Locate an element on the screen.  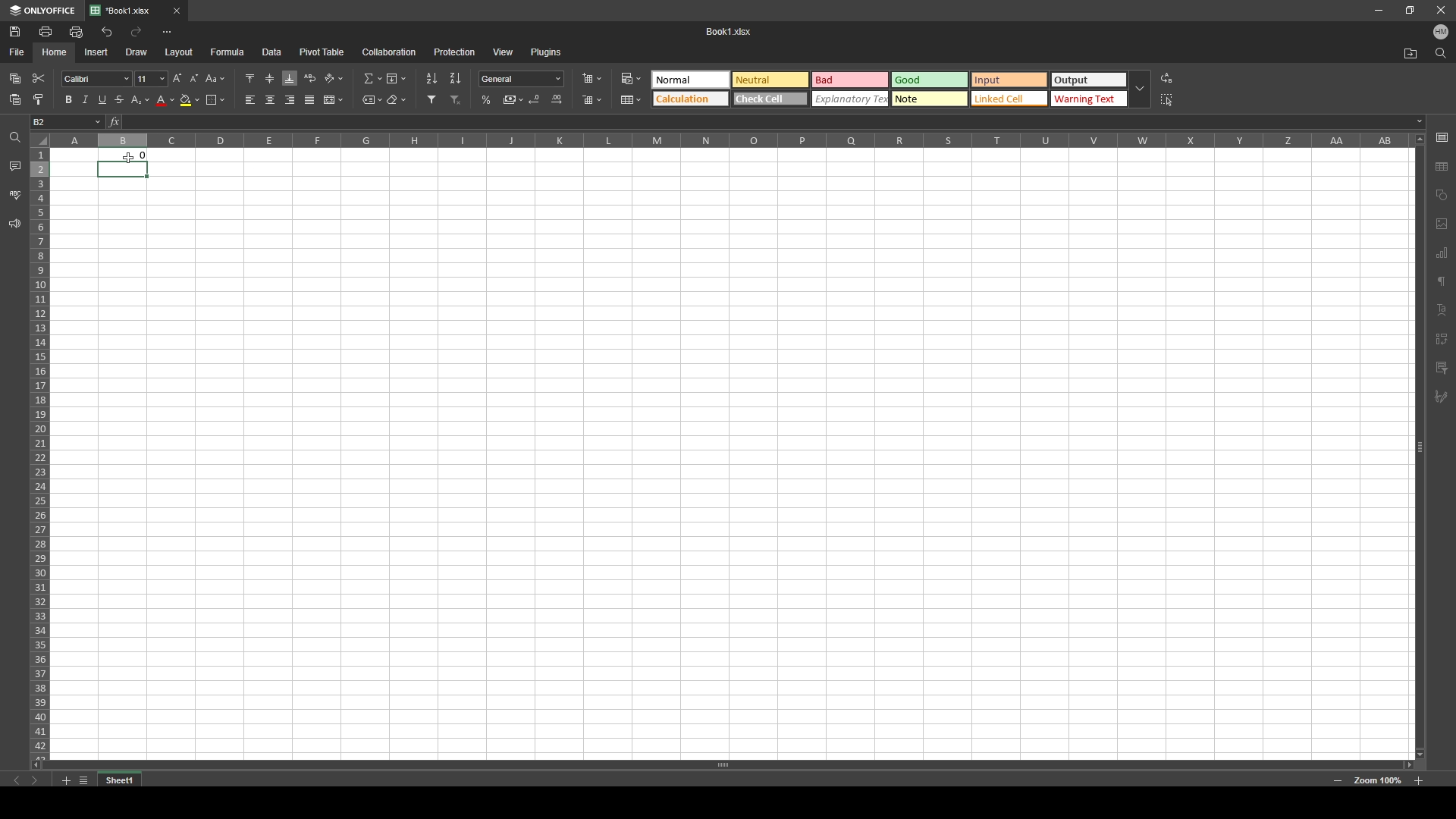
delete cells is located at coordinates (592, 99).